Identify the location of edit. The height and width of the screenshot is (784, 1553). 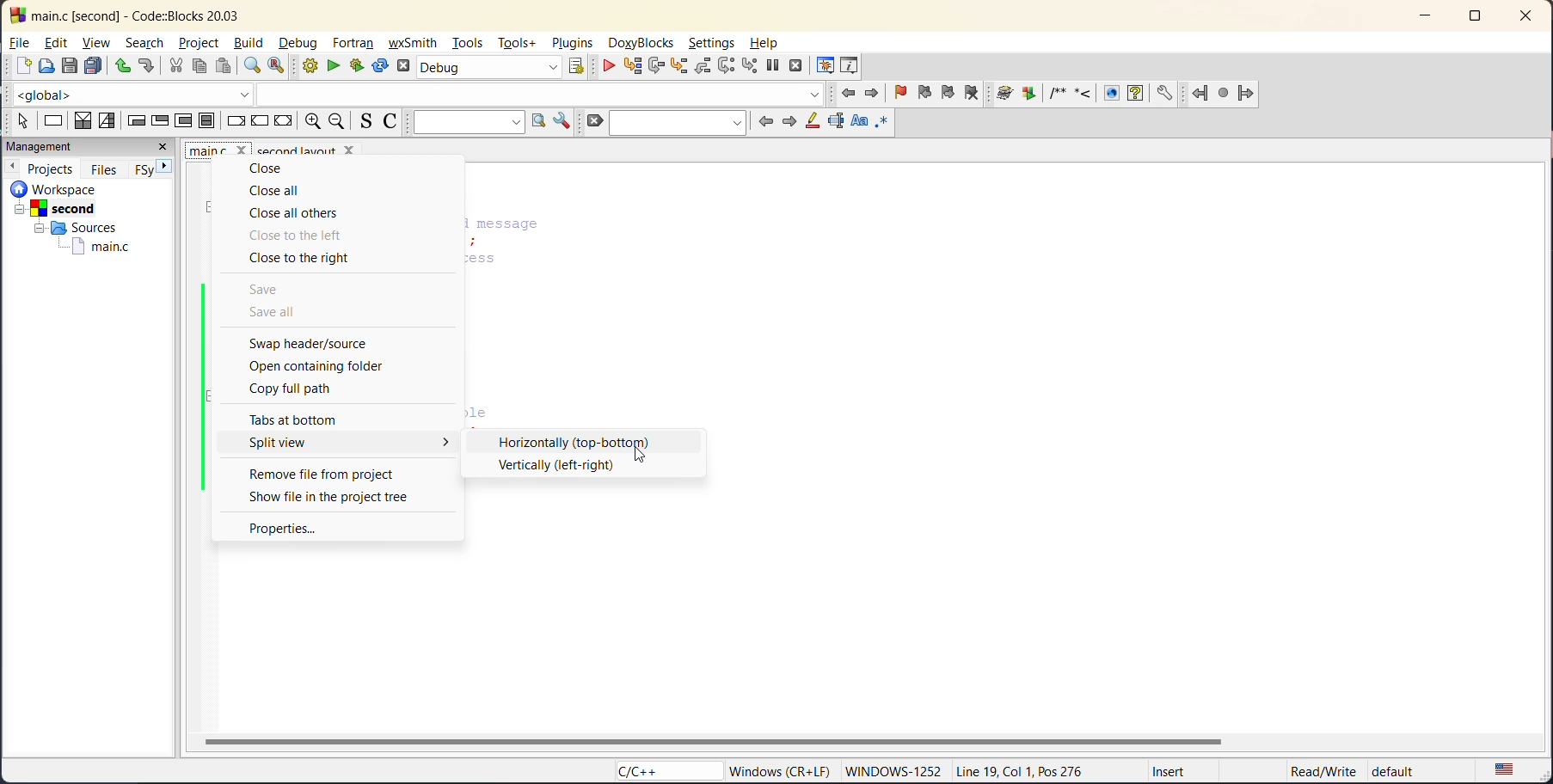
(60, 41).